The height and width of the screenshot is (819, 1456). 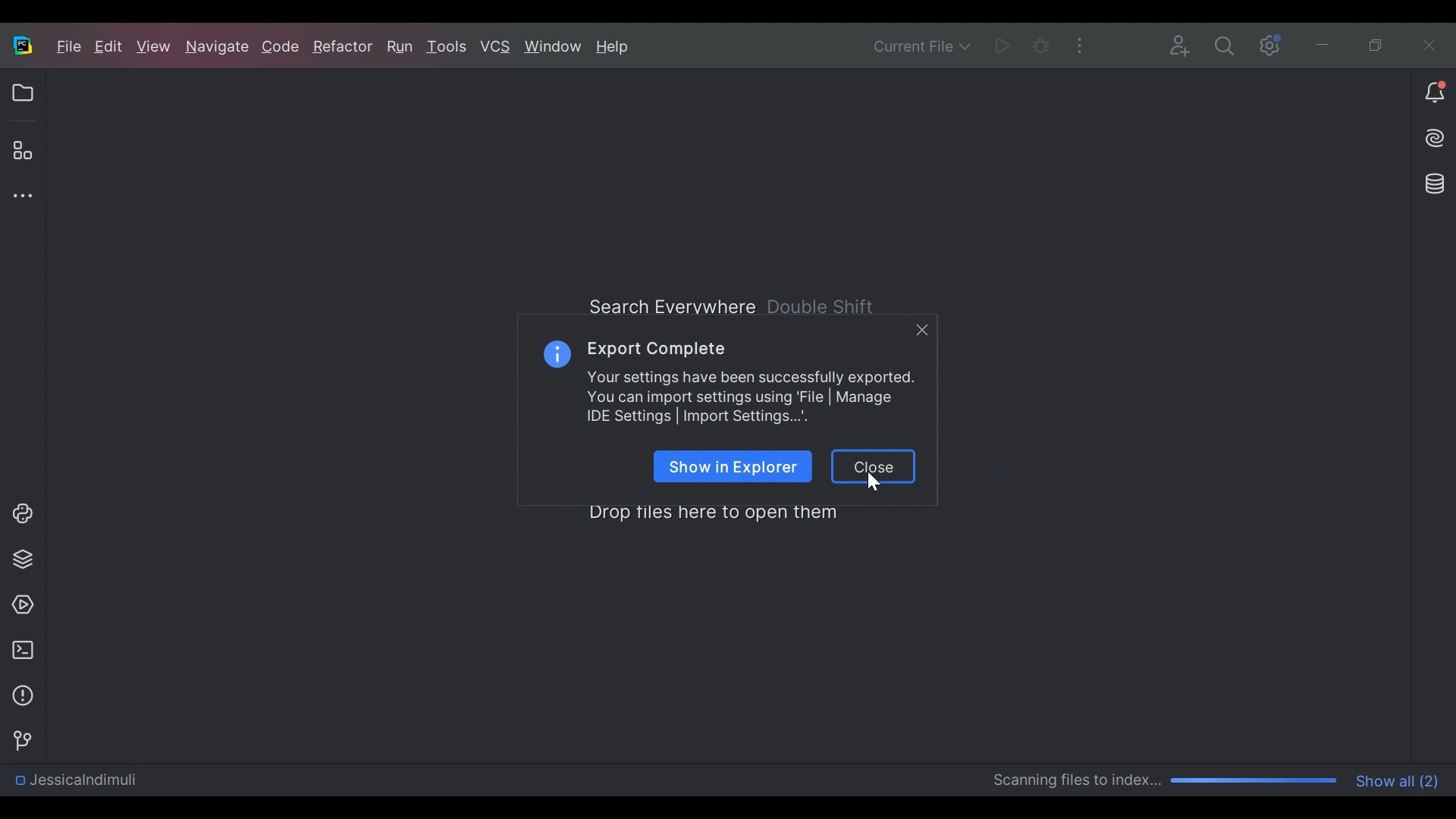 I want to click on Navigate, so click(x=218, y=49).